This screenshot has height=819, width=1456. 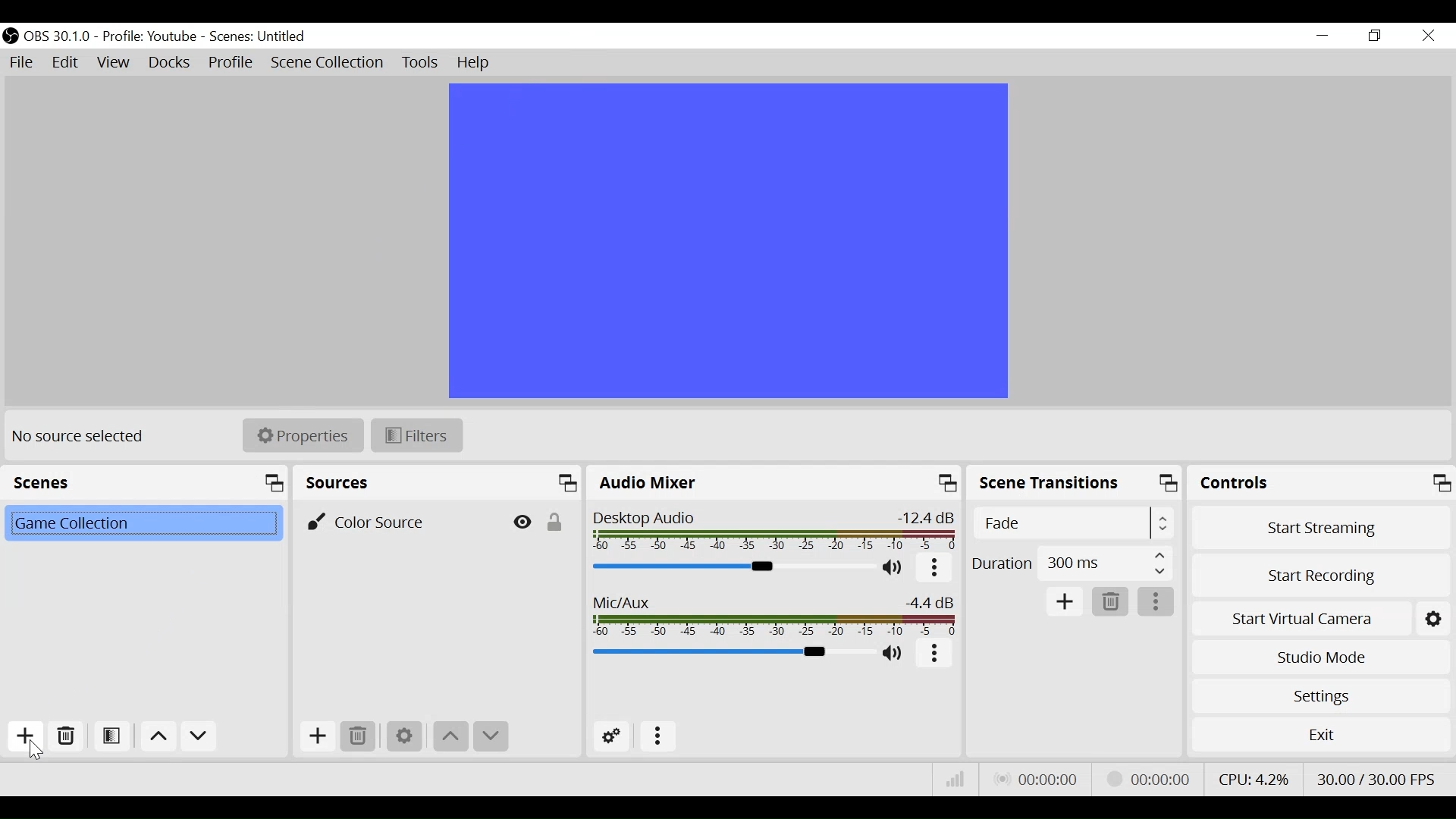 What do you see at coordinates (113, 738) in the screenshot?
I see `Open Scene Filter` at bounding box center [113, 738].